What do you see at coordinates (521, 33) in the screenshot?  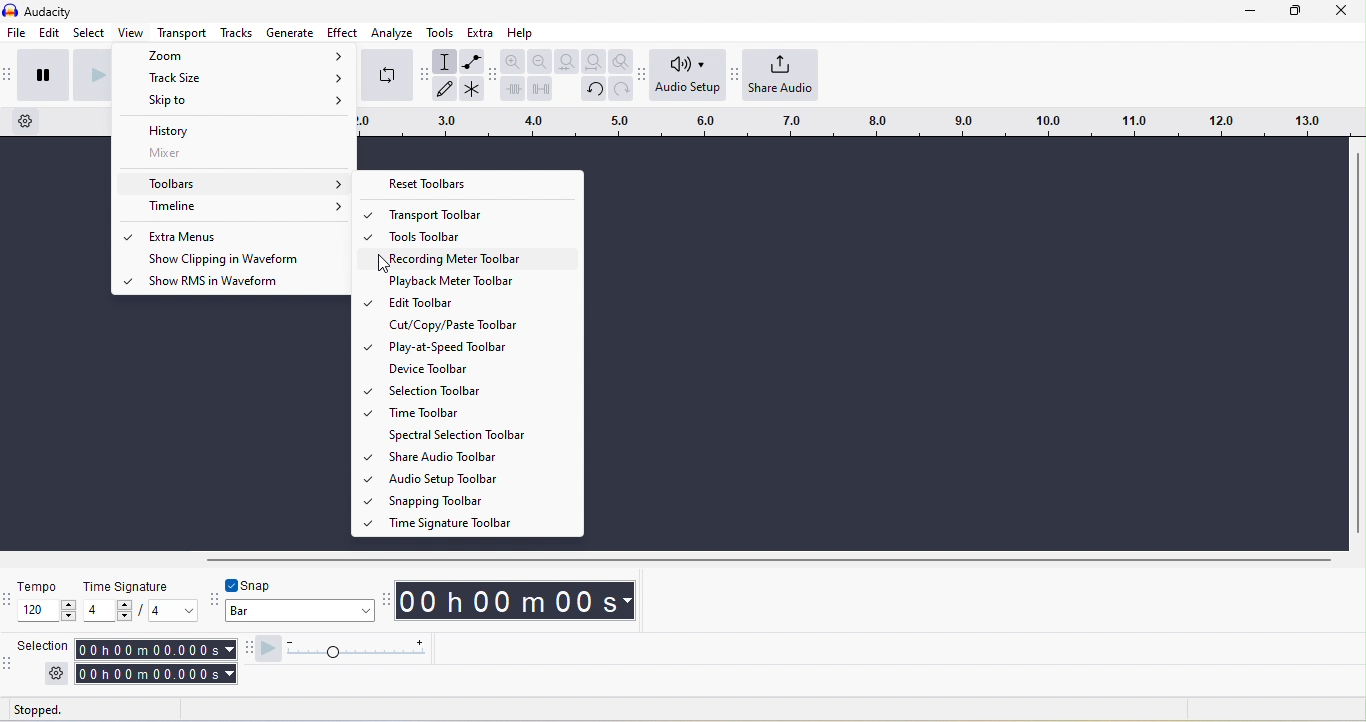 I see `help` at bounding box center [521, 33].